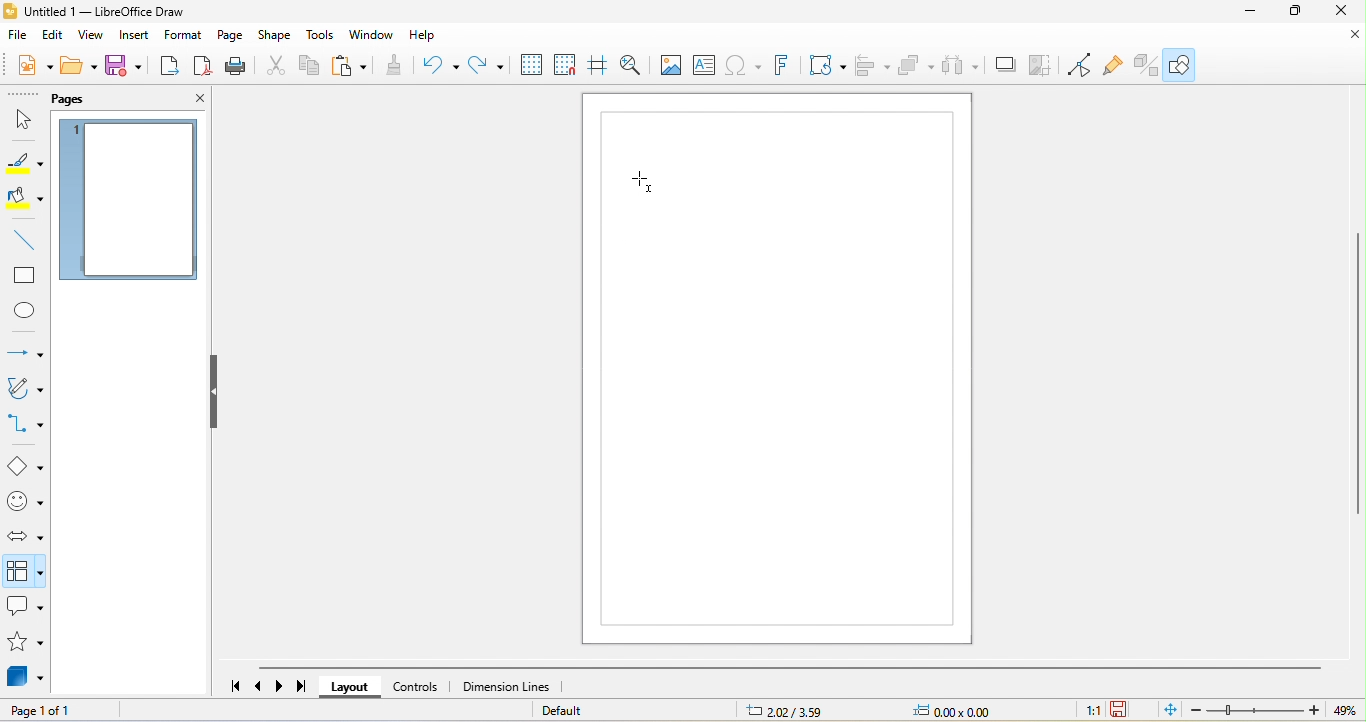 The width and height of the screenshot is (1366, 722). What do you see at coordinates (916, 67) in the screenshot?
I see `arrange` at bounding box center [916, 67].